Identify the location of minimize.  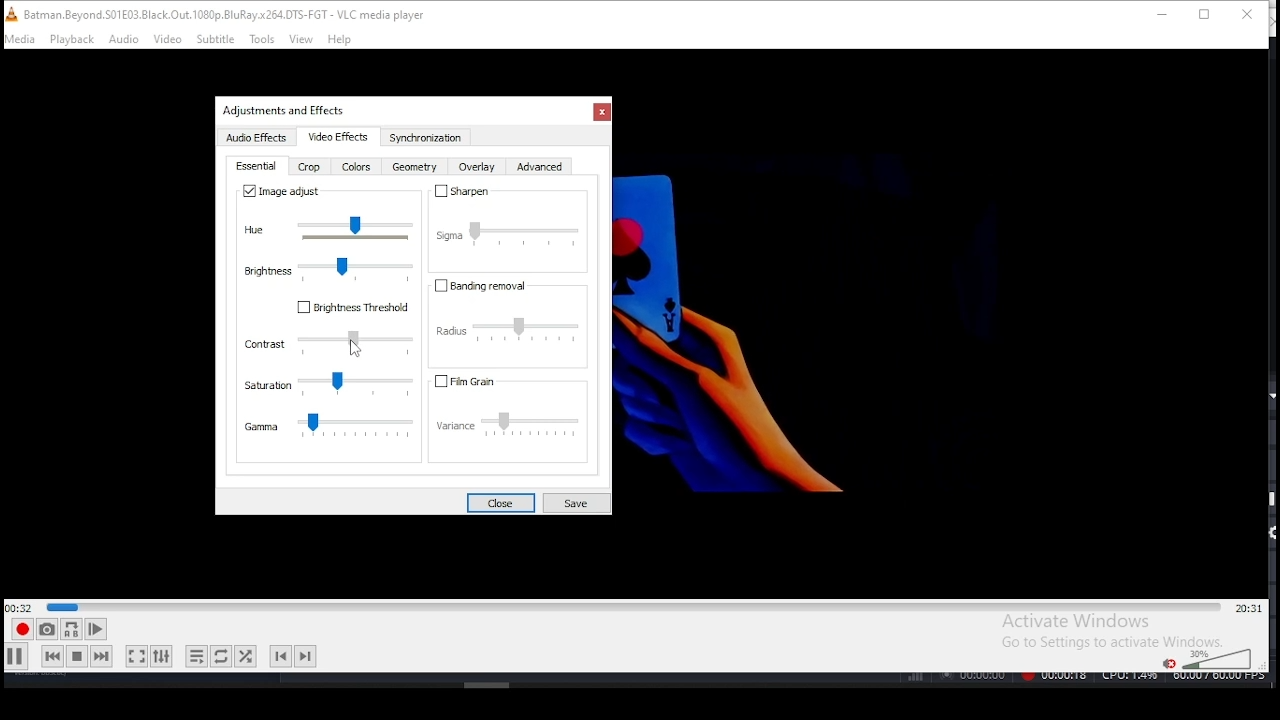
(1158, 14).